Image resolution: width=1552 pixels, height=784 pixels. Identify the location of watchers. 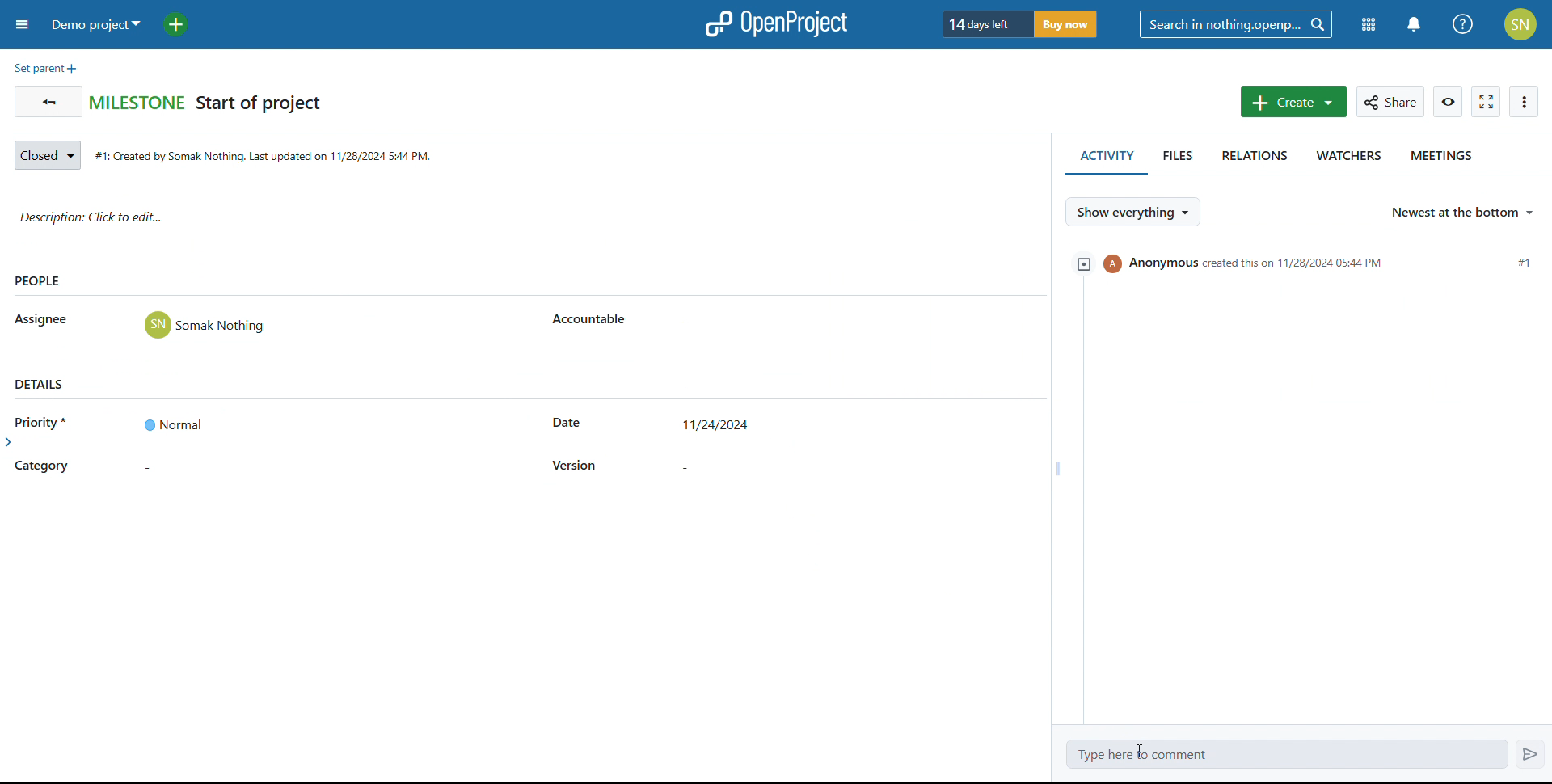
(1346, 159).